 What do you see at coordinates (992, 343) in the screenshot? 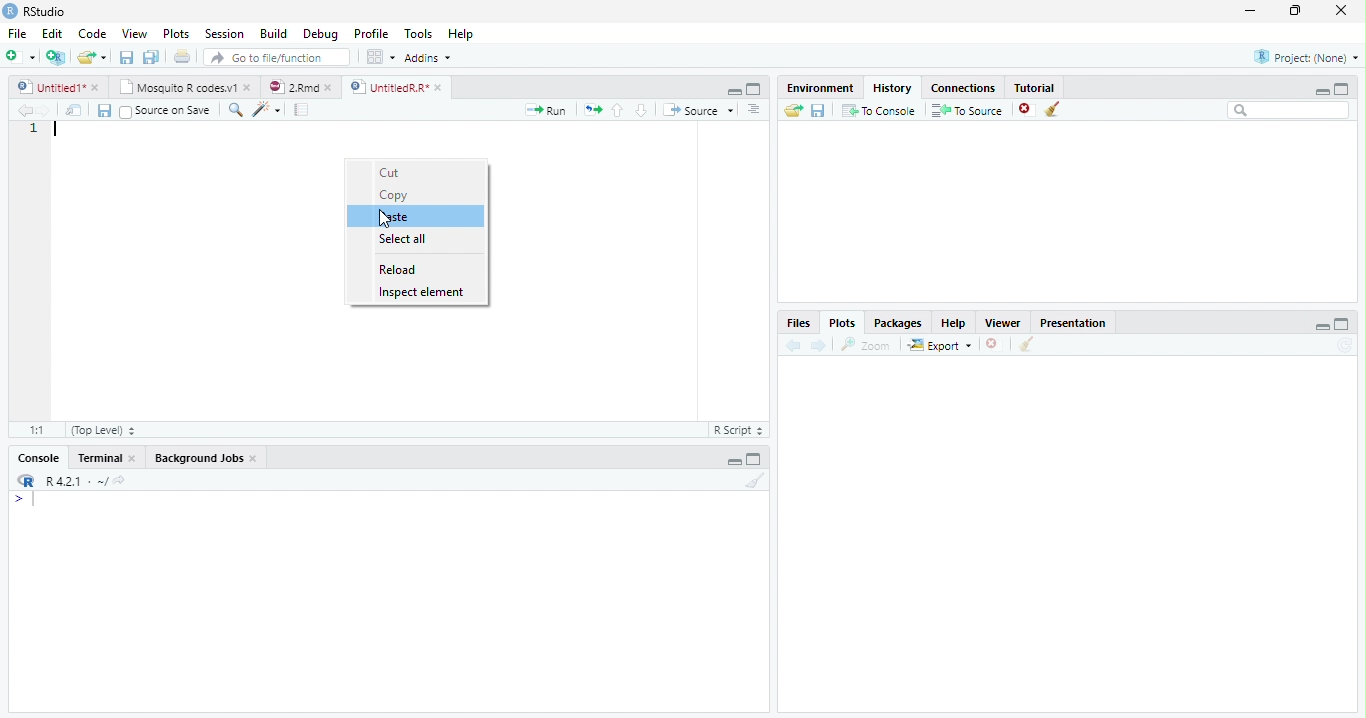
I see `Delete` at bounding box center [992, 343].